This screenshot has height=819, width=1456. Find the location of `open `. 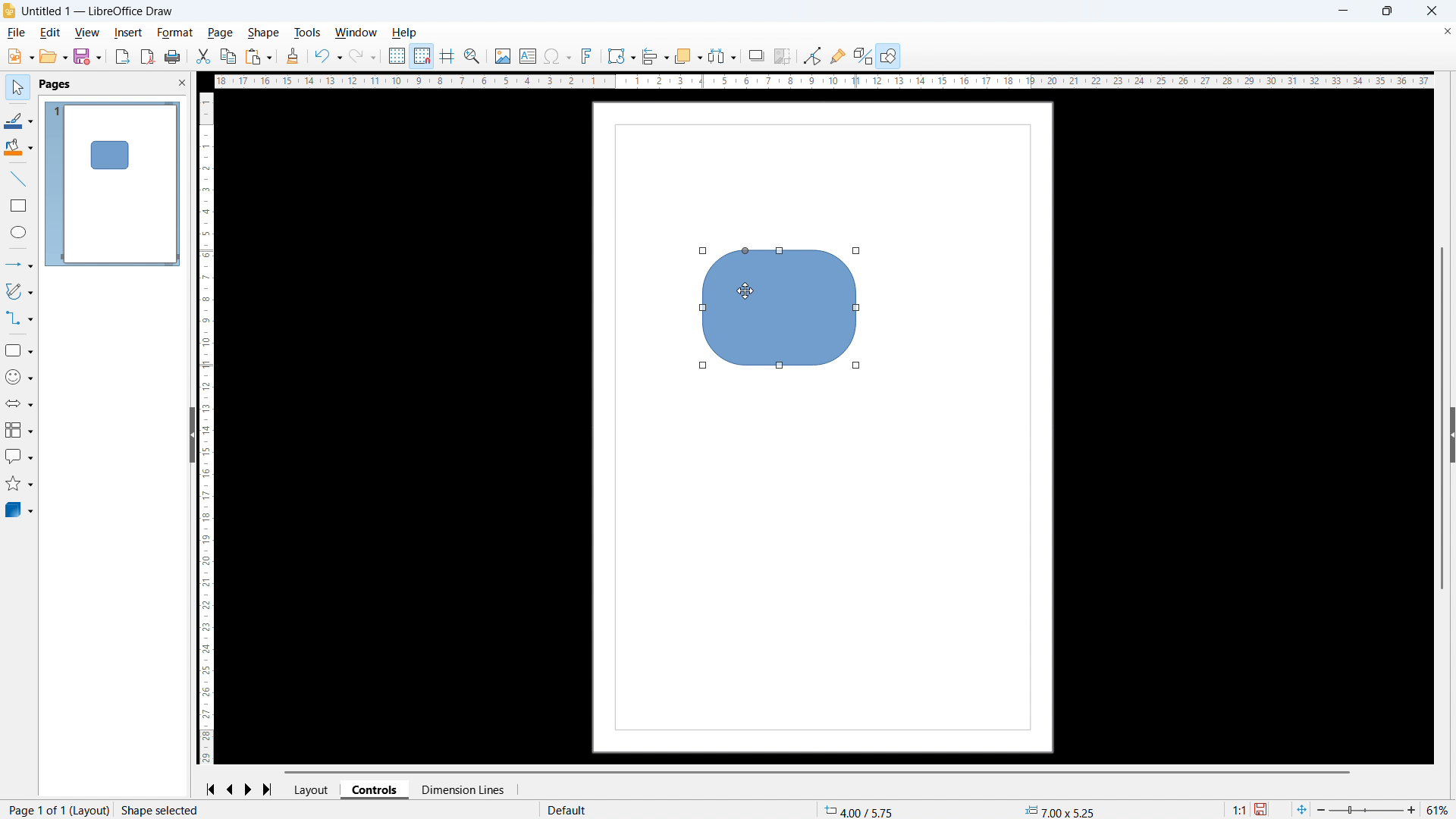

open  is located at coordinates (54, 56).